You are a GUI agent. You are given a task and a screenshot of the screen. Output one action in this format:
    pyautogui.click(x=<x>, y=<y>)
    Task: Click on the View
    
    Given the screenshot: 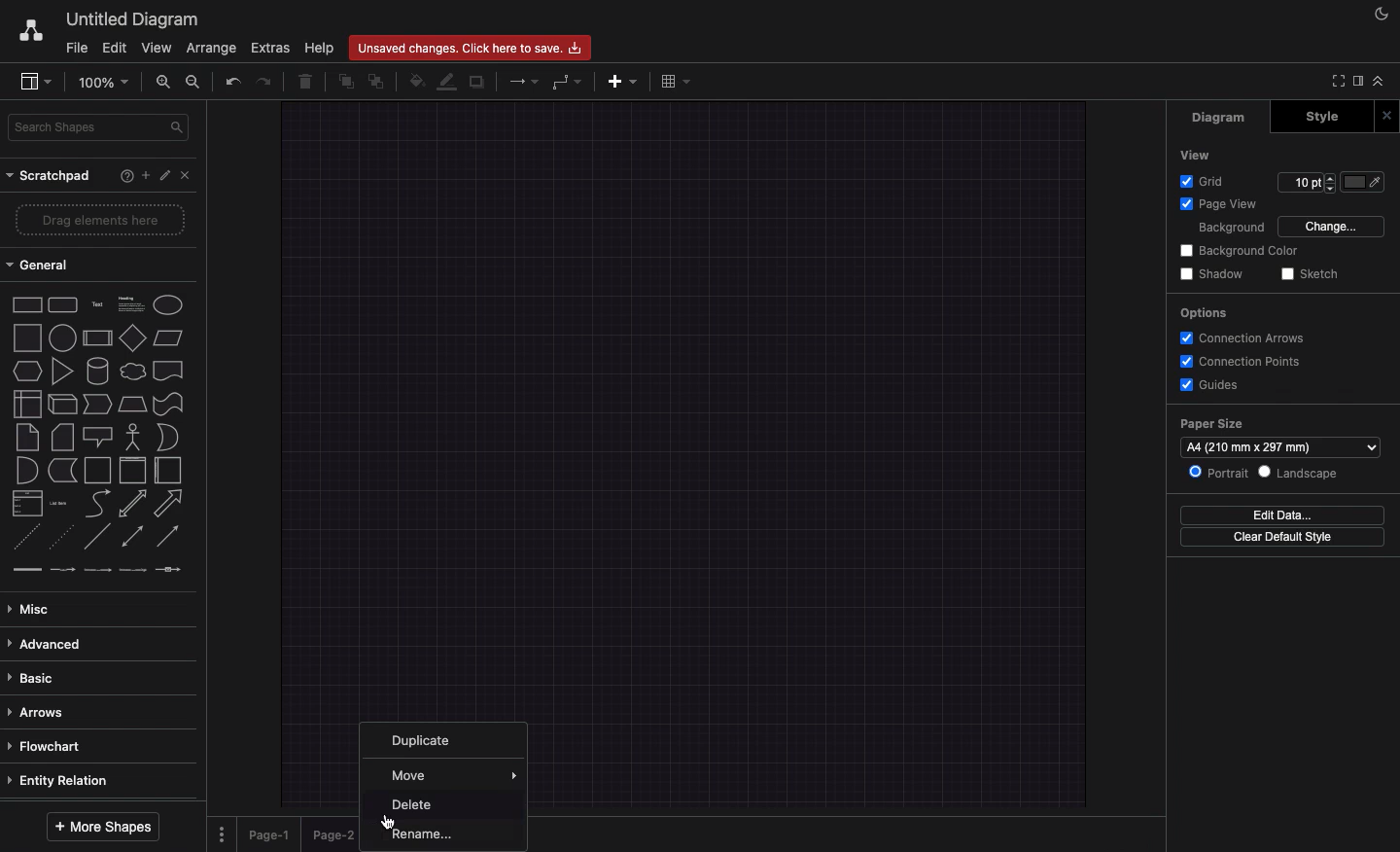 What is the action you would take?
    pyautogui.click(x=157, y=47)
    